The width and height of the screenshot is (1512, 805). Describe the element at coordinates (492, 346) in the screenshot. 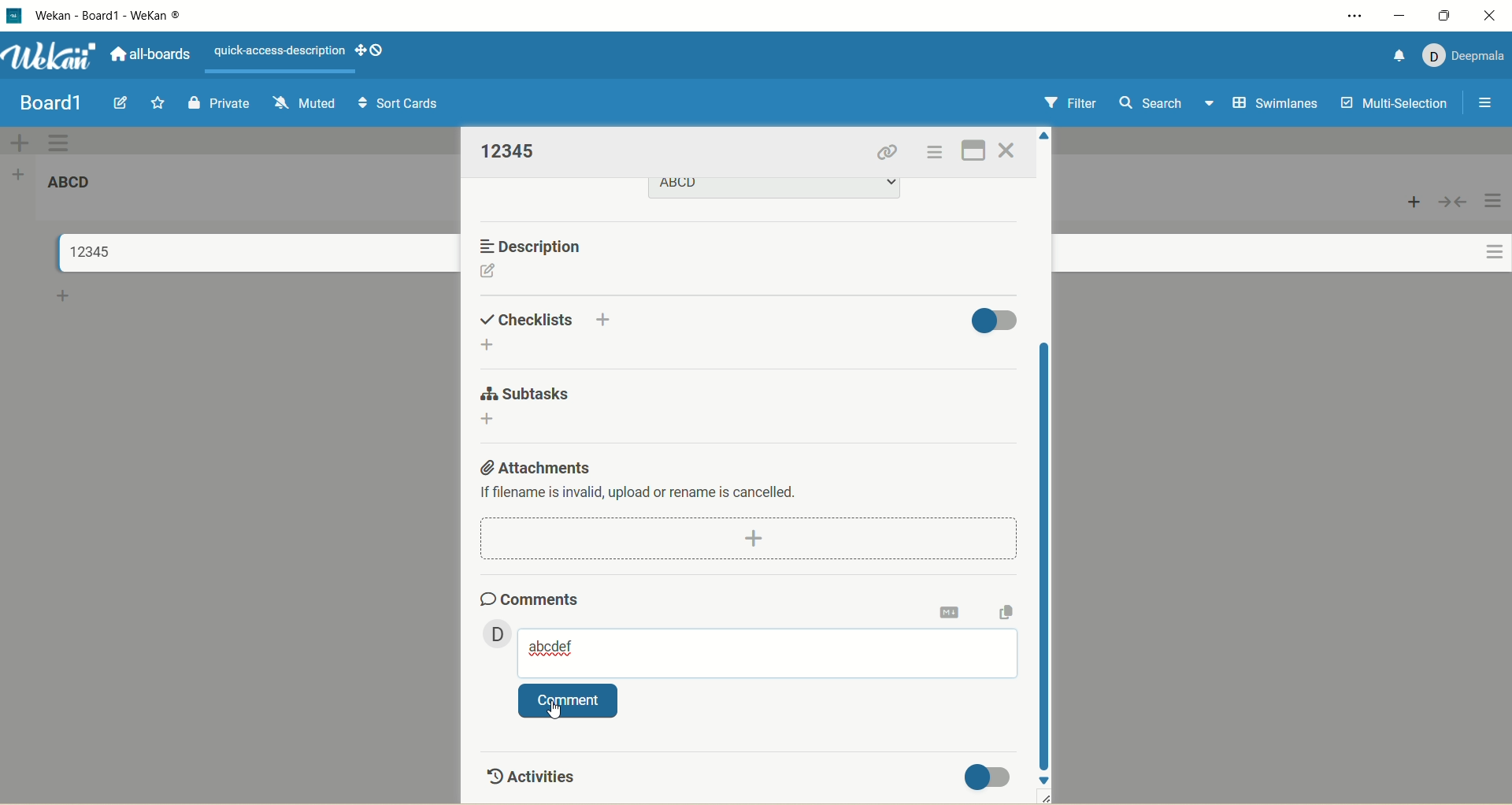

I see `add` at that location.